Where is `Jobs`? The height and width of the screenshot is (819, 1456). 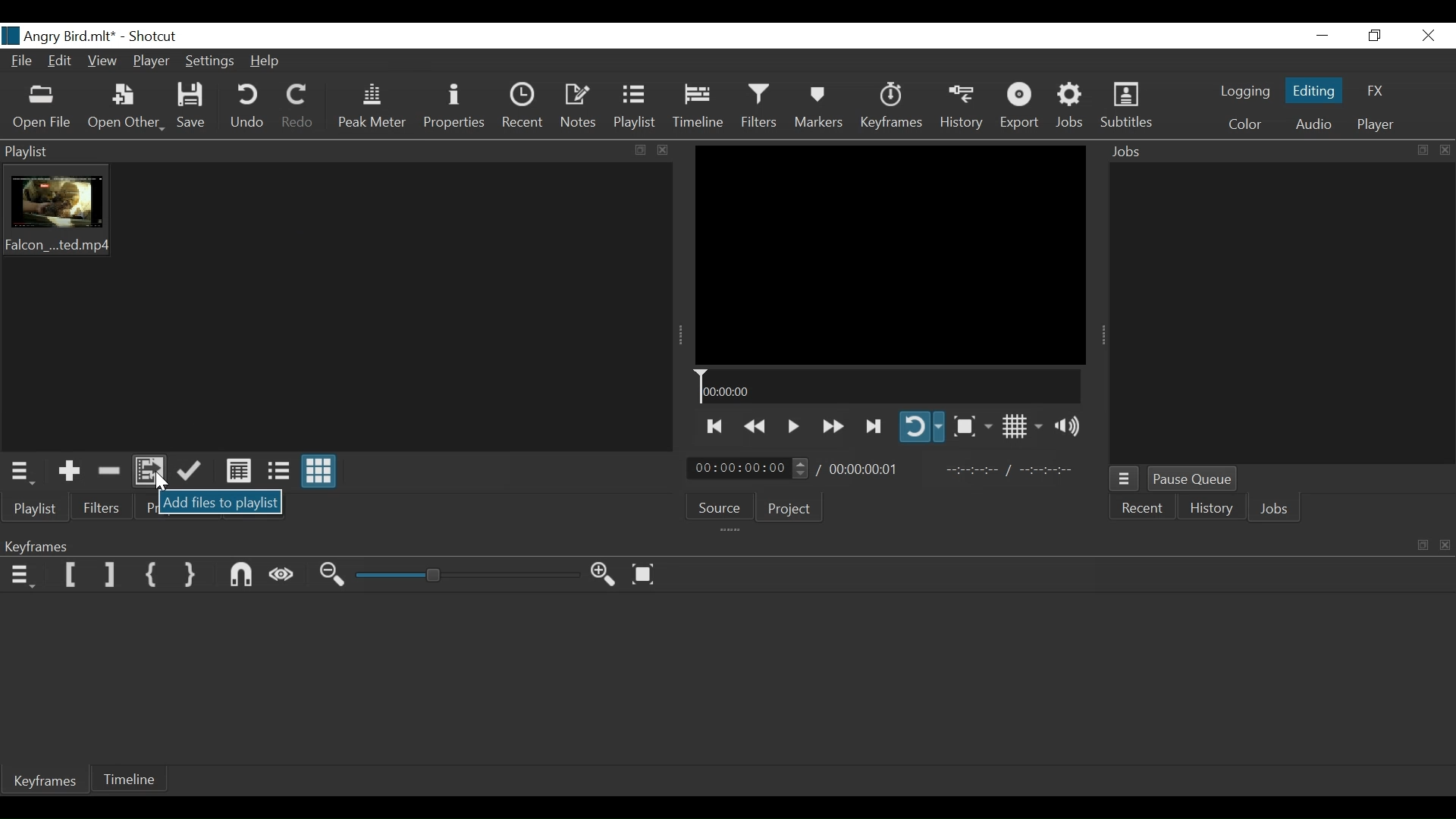
Jobs is located at coordinates (1276, 152).